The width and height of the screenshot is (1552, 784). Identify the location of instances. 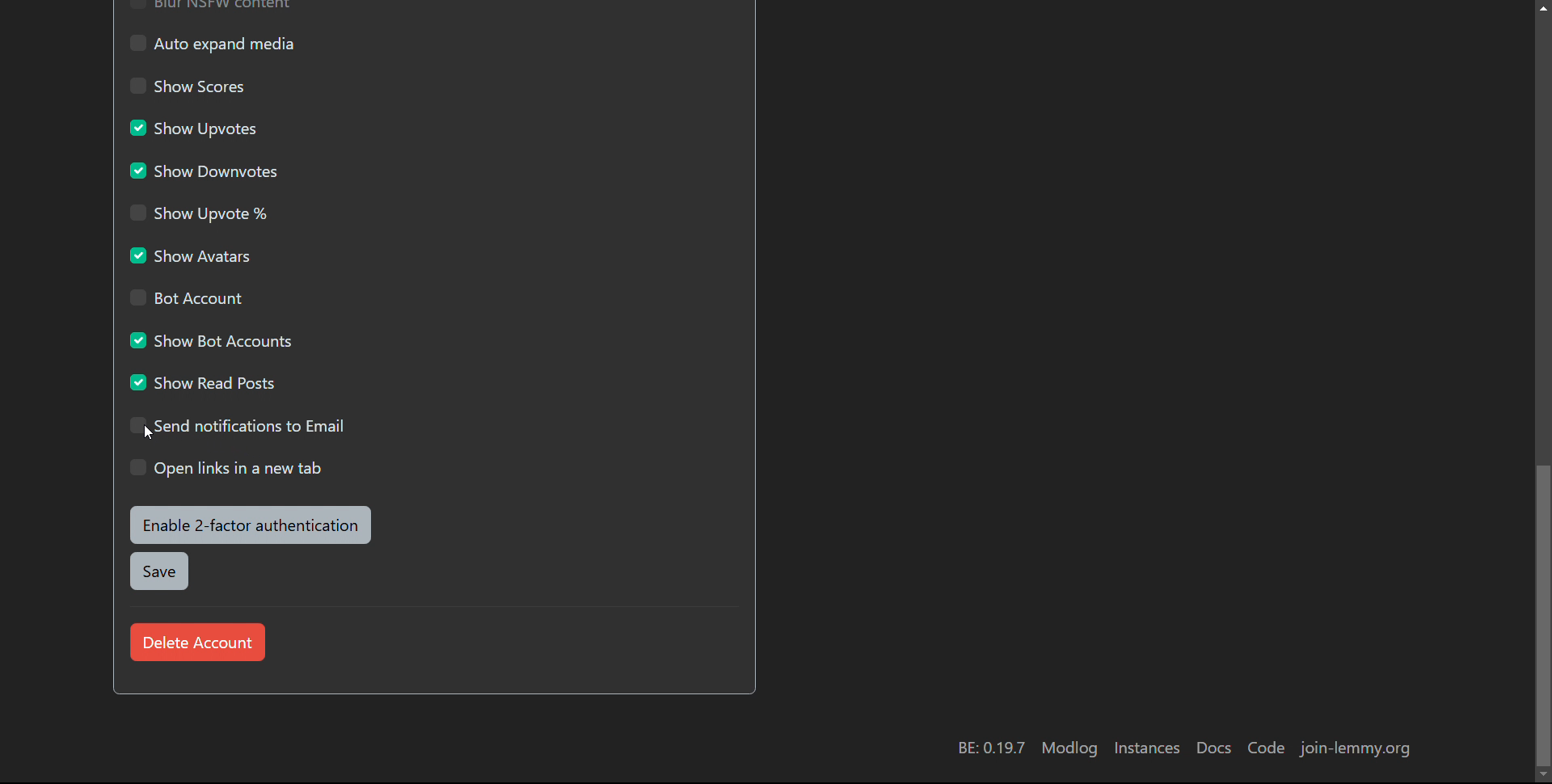
(1145, 747).